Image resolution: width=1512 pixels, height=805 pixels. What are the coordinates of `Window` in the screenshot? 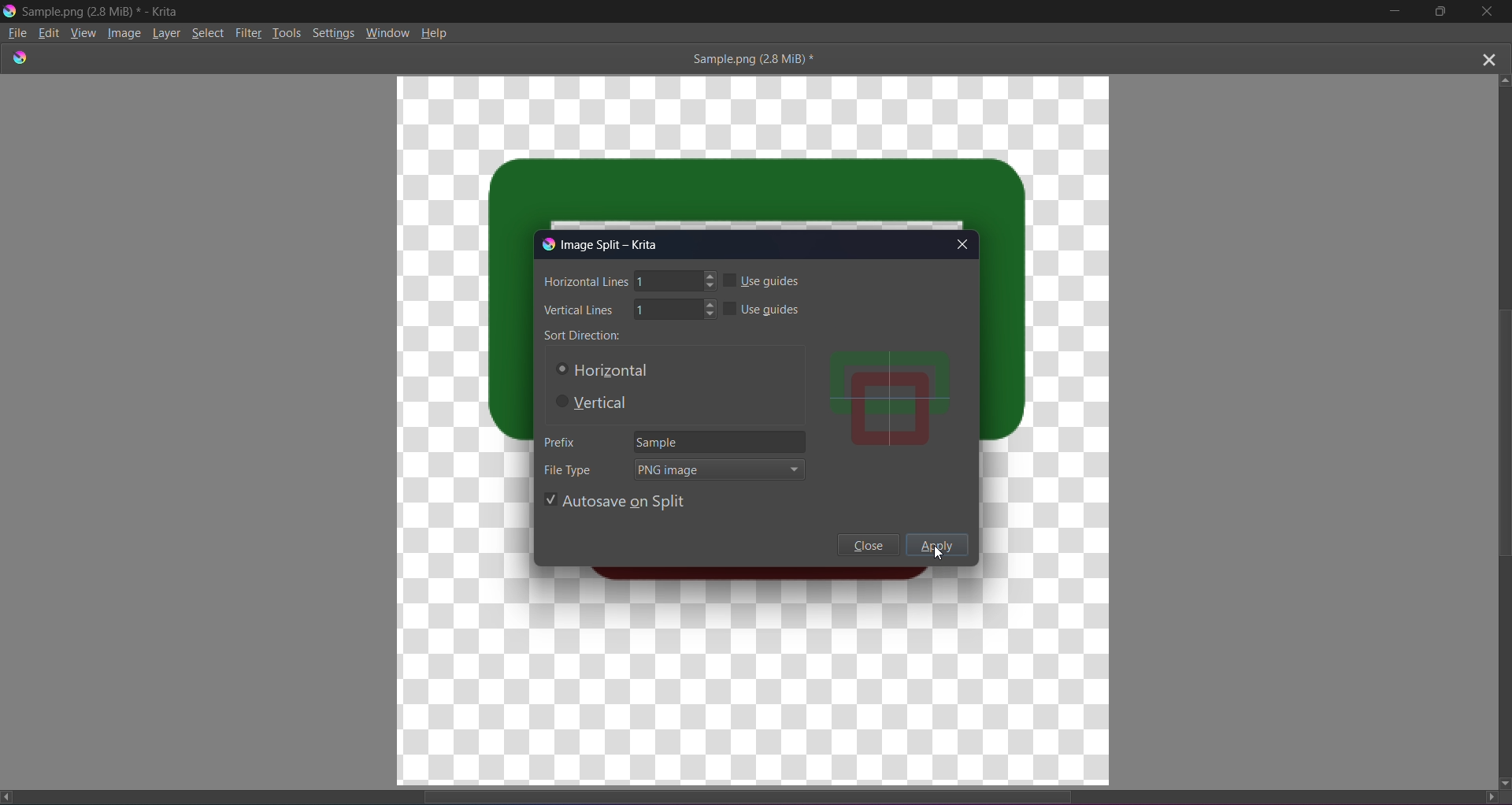 It's located at (388, 31).